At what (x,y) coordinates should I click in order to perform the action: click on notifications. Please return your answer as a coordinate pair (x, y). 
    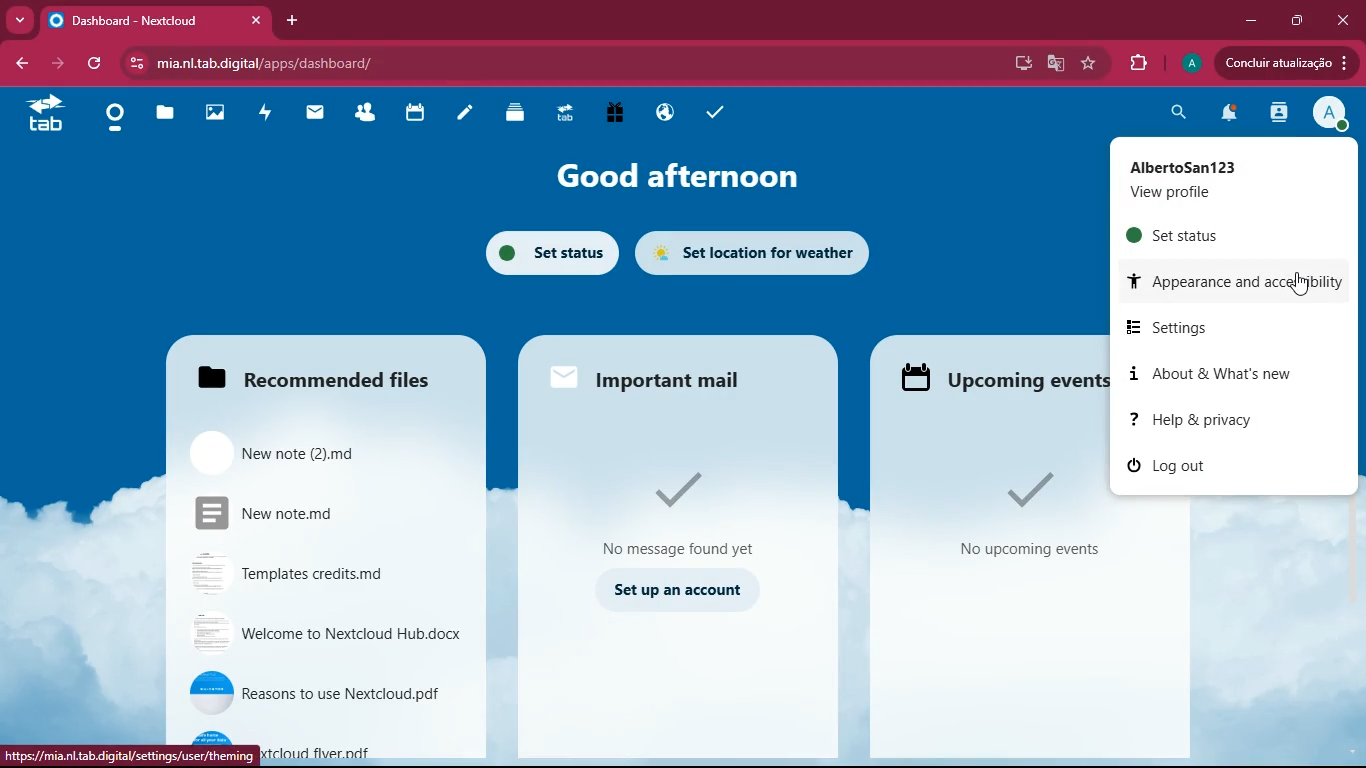
    Looking at the image, I should click on (1227, 116).